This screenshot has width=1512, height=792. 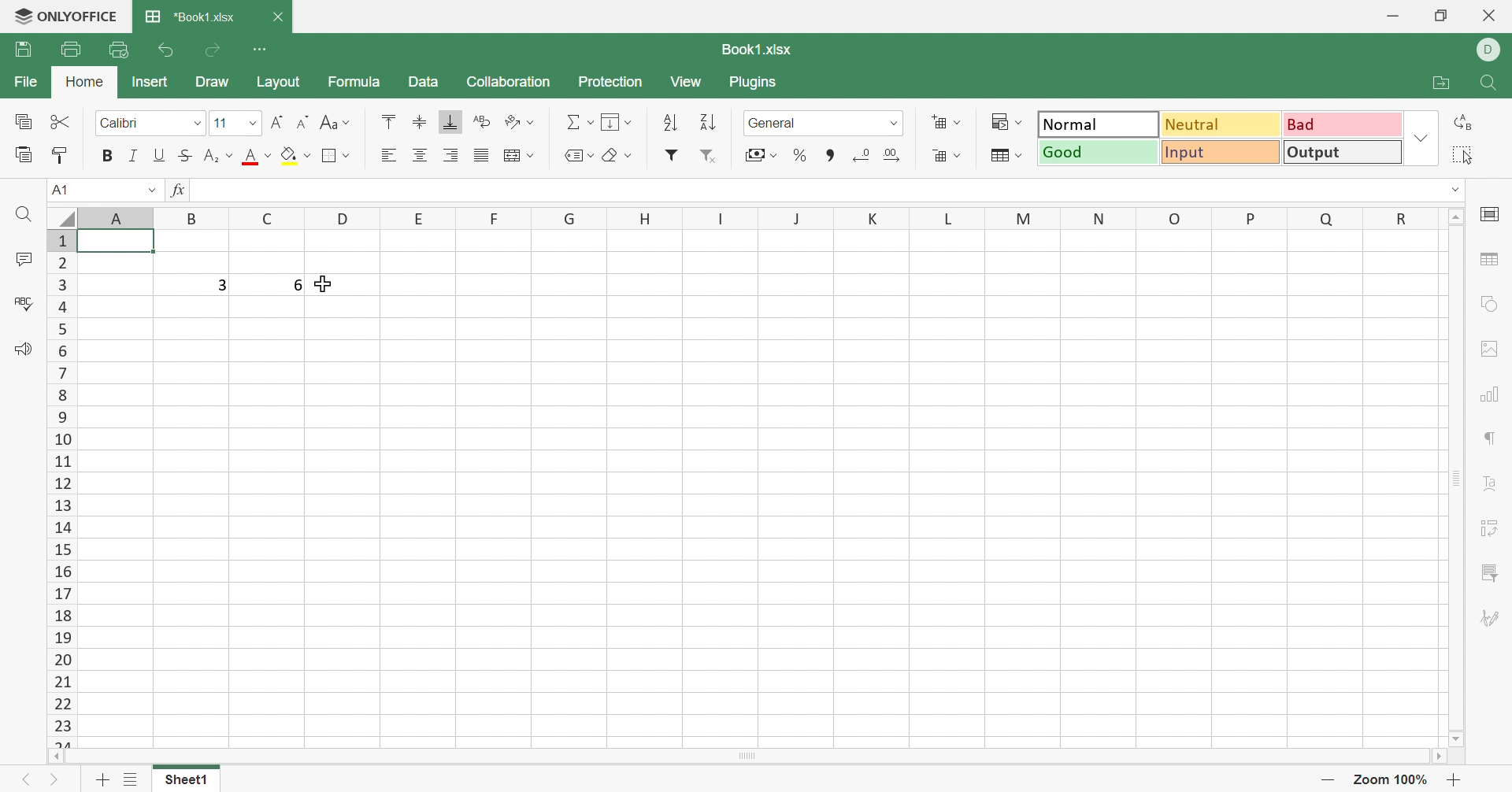 I want to click on Image settings, so click(x=1492, y=350).